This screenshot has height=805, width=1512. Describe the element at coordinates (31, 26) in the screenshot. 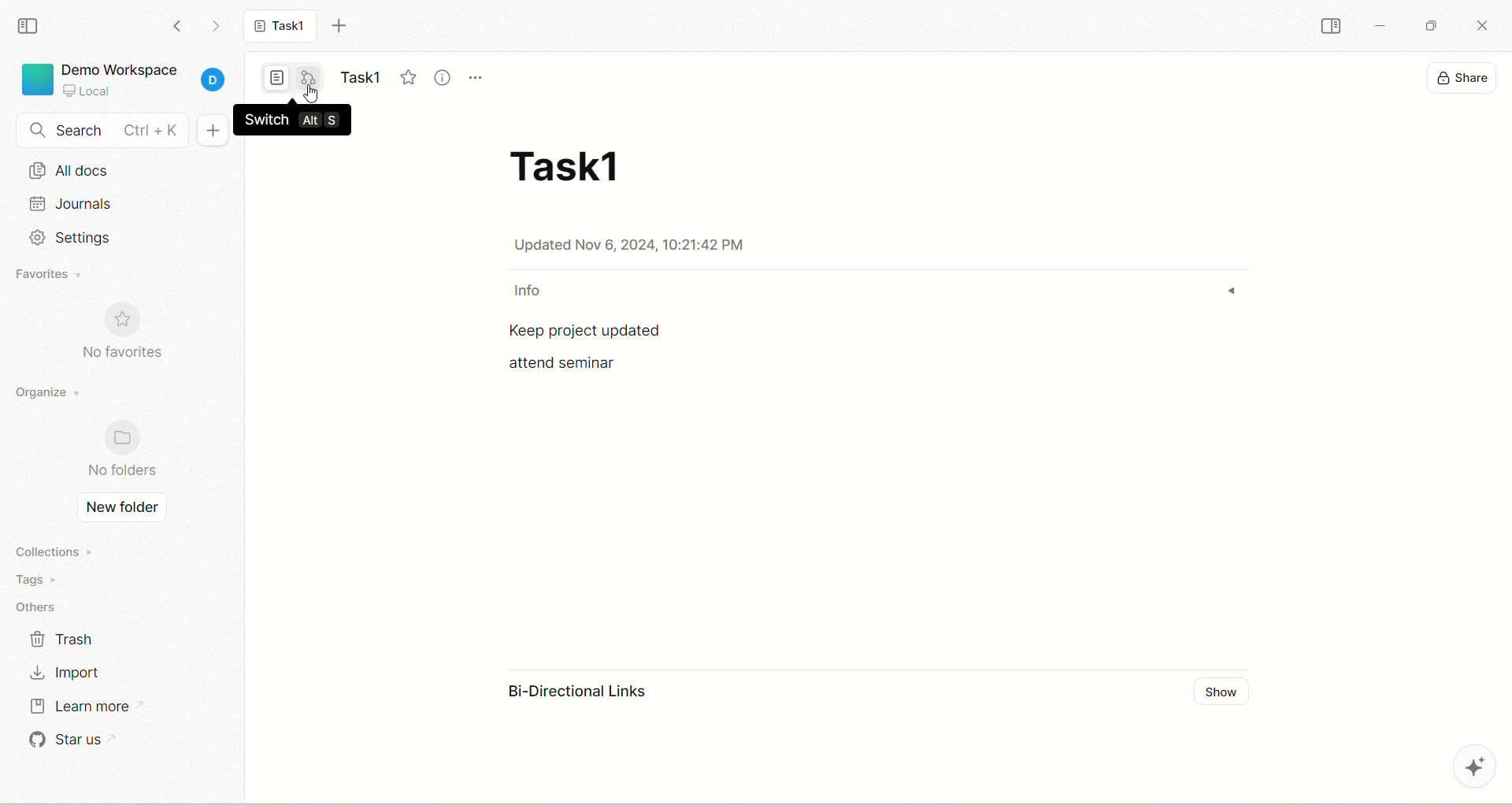

I see `collapse sidebar` at that location.